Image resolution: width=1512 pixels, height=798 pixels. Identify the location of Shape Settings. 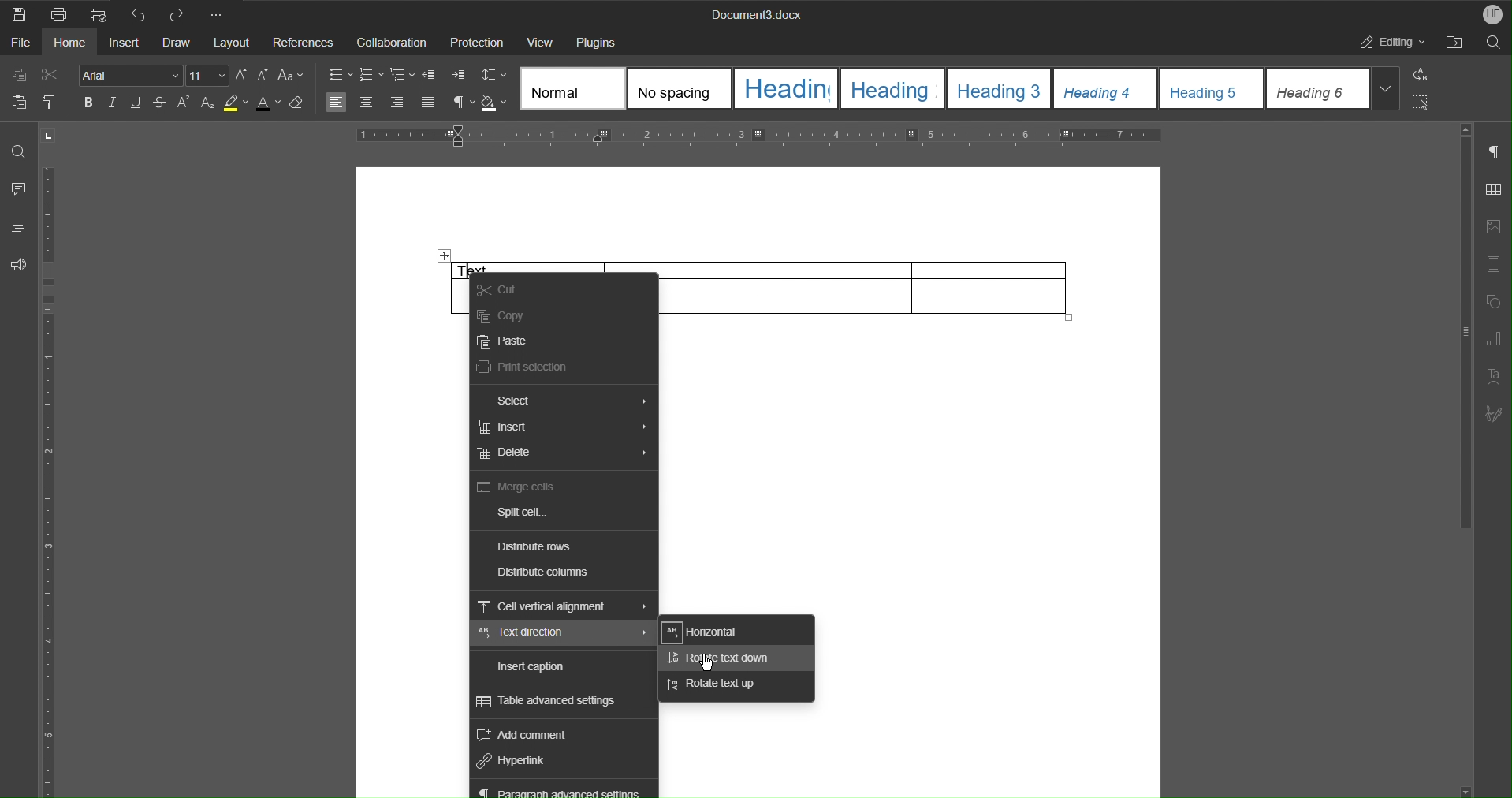
(1495, 300).